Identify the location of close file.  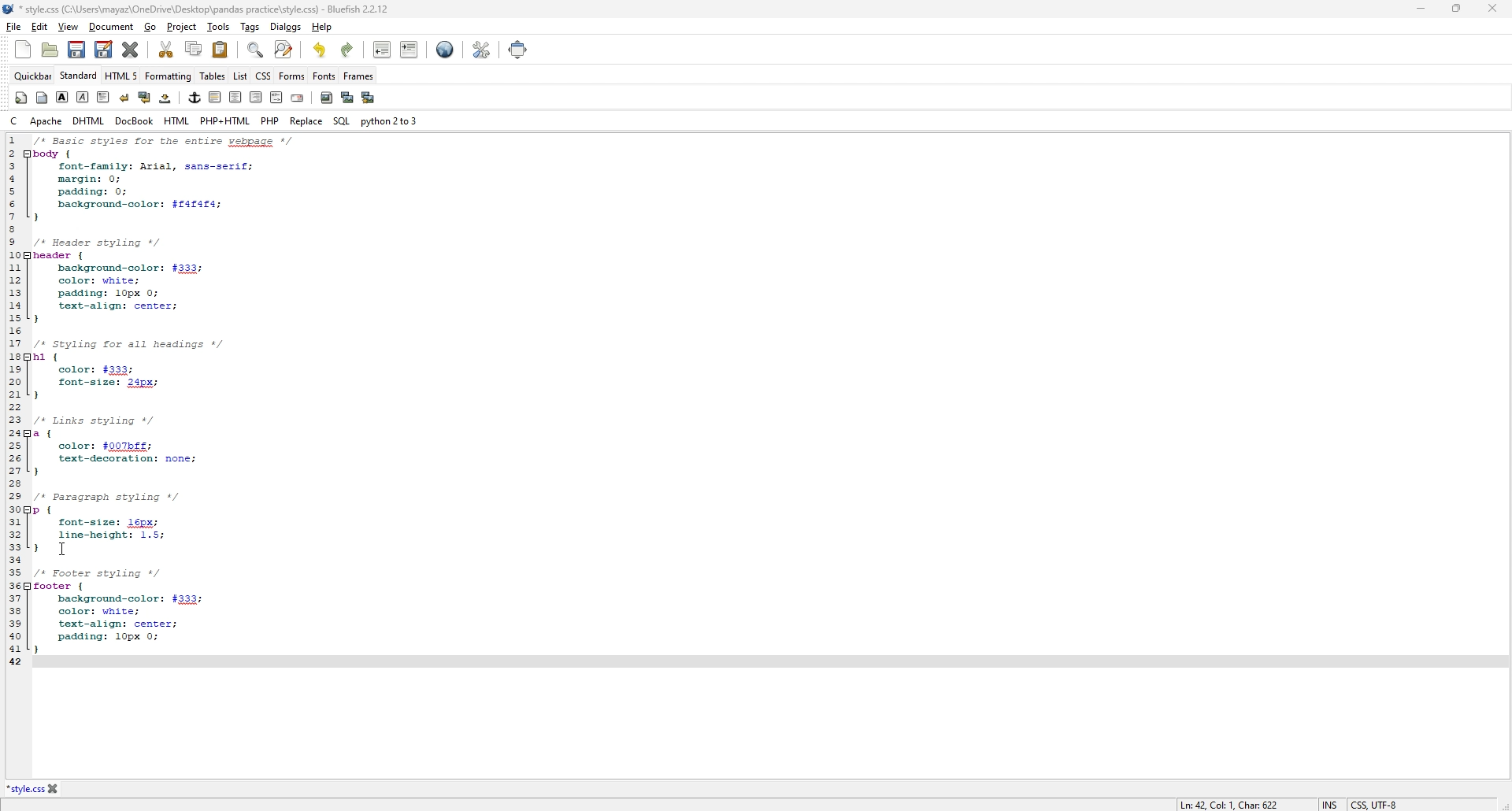
(55, 788).